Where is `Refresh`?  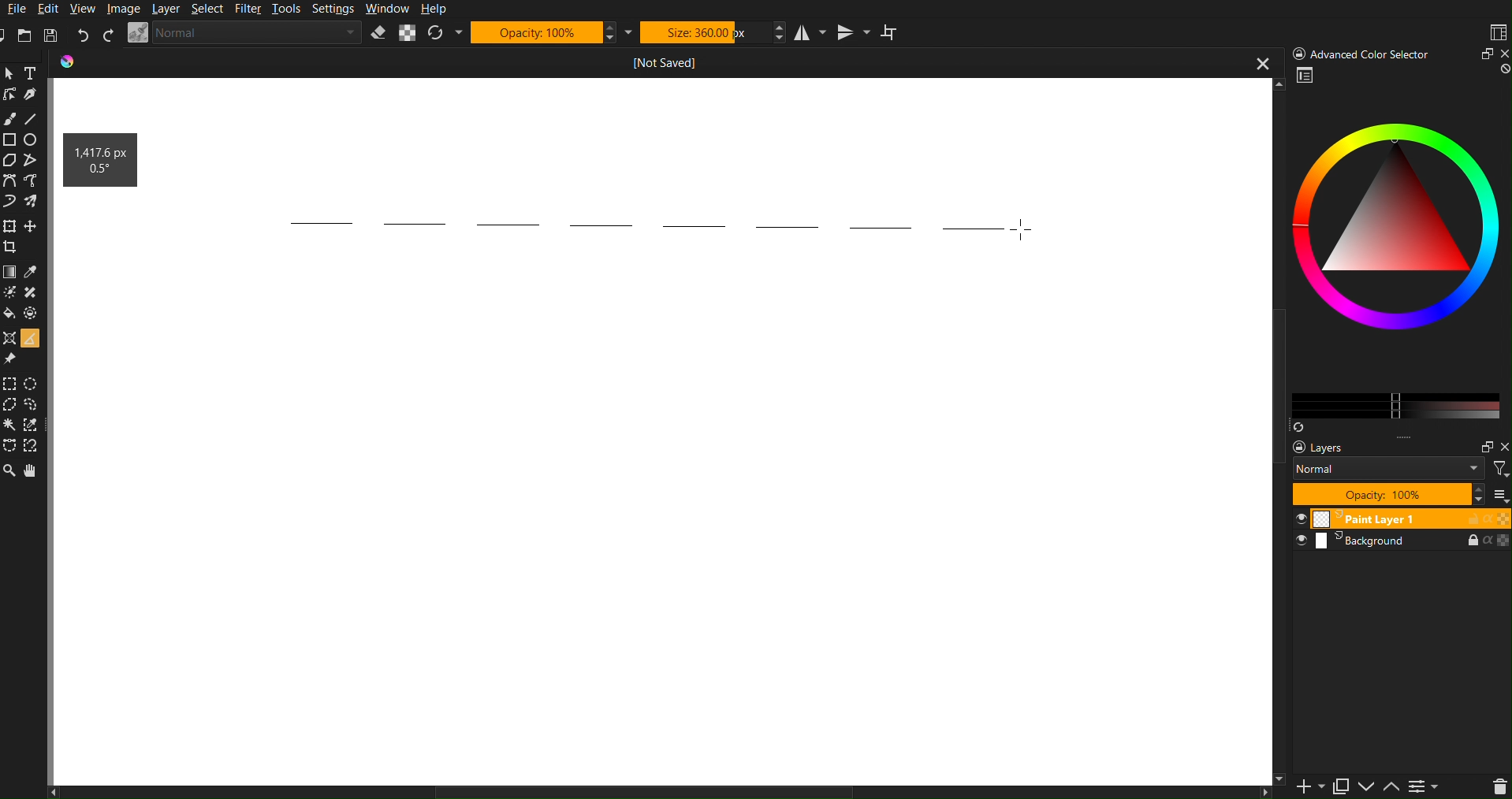 Refresh is located at coordinates (444, 33).